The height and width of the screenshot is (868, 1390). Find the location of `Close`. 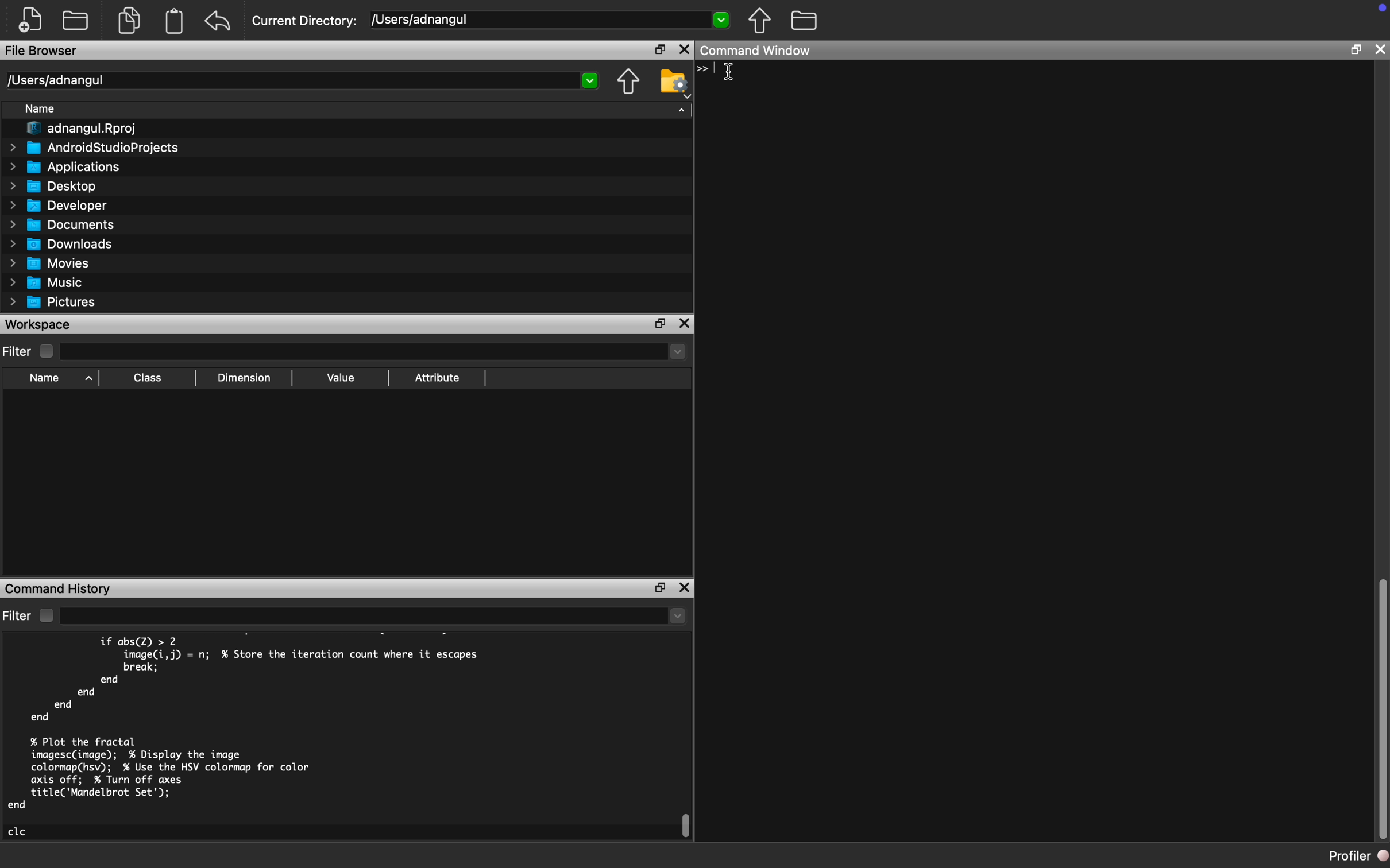

Close is located at coordinates (684, 588).